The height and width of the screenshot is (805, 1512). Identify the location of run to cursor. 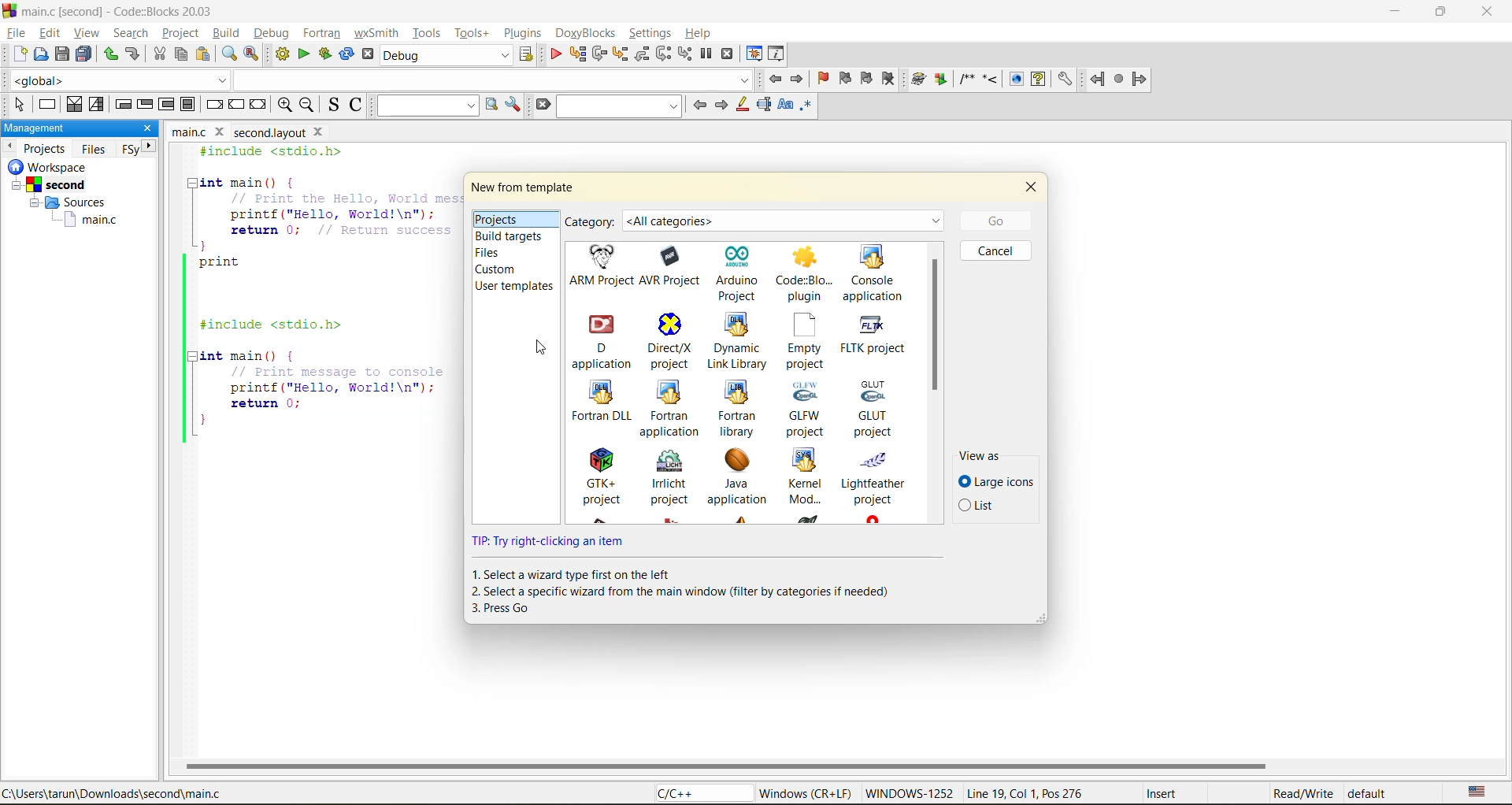
(576, 54).